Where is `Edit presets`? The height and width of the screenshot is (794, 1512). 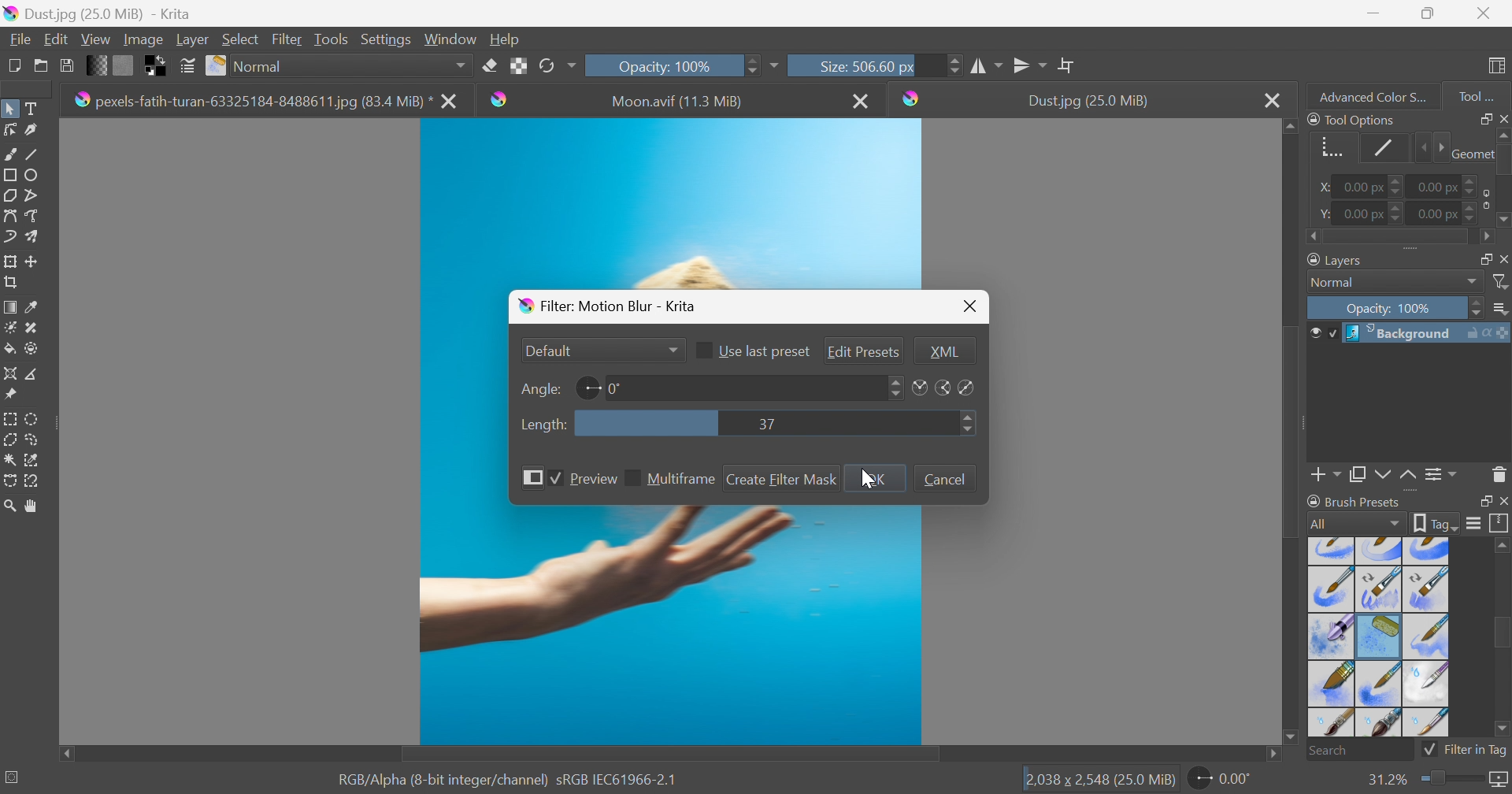
Edit presets is located at coordinates (864, 353).